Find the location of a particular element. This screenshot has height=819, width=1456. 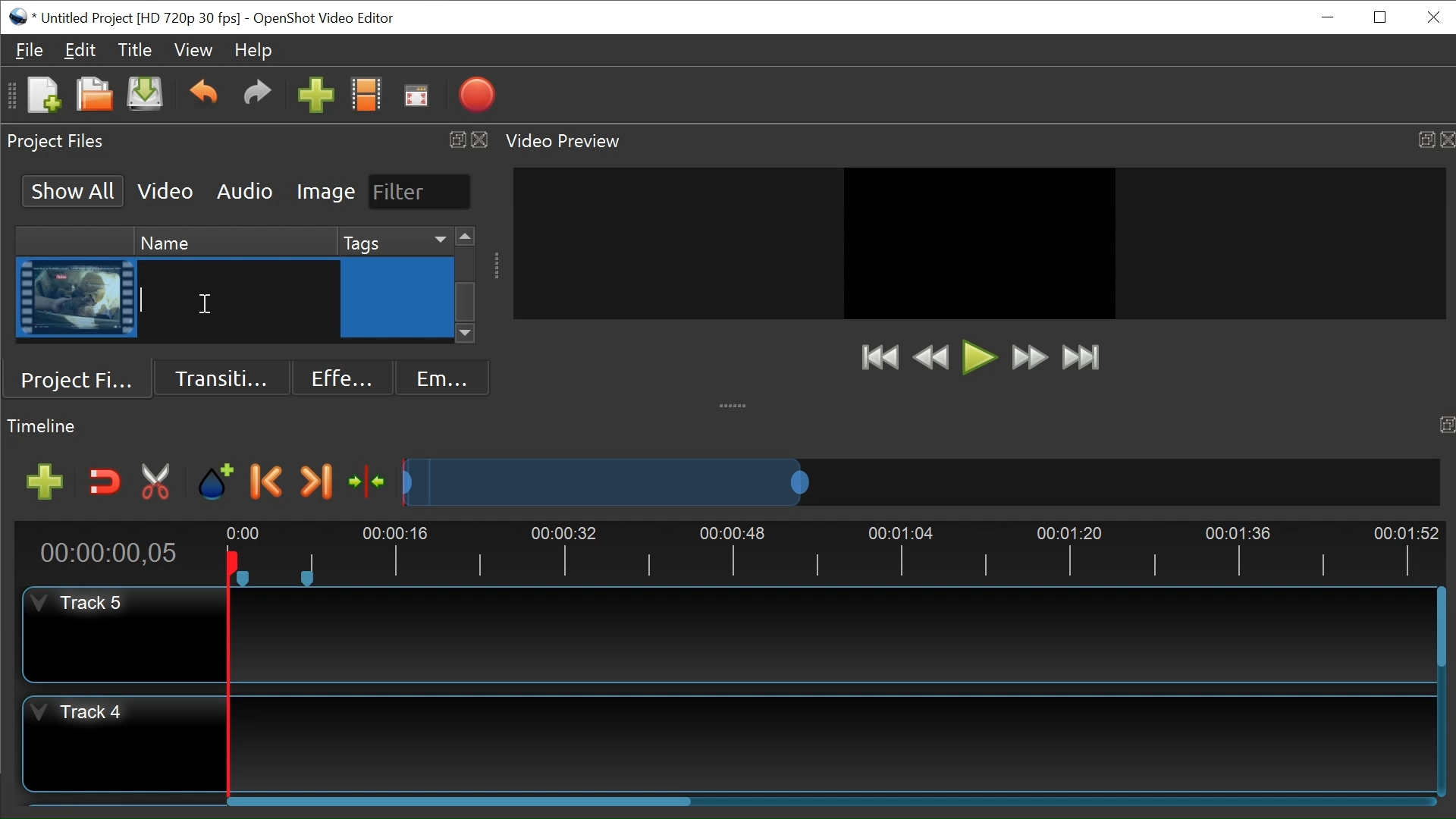

Fullscreen is located at coordinates (416, 96).